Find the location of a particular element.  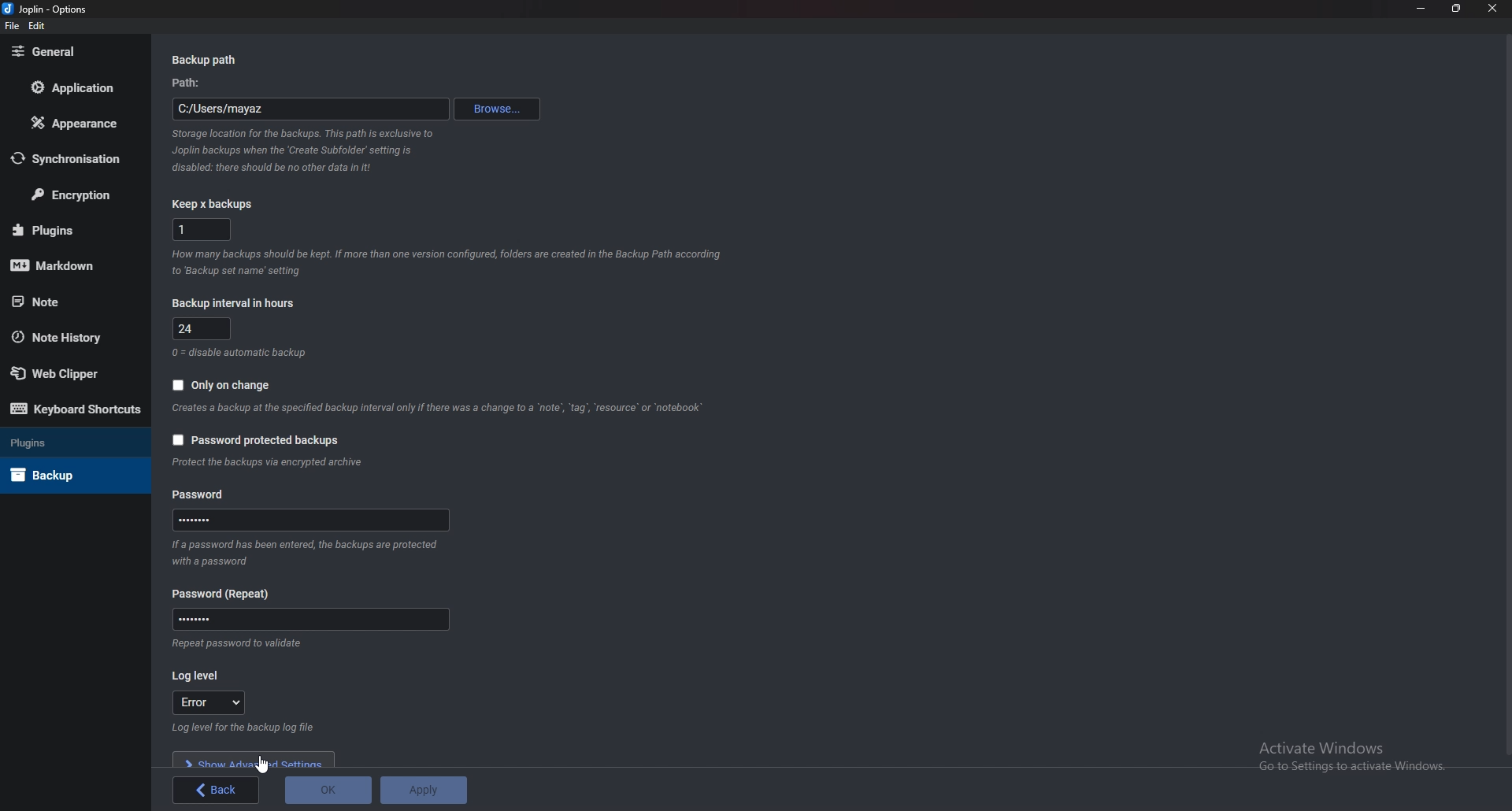

Info on log level is located at coordinates (250, 728).